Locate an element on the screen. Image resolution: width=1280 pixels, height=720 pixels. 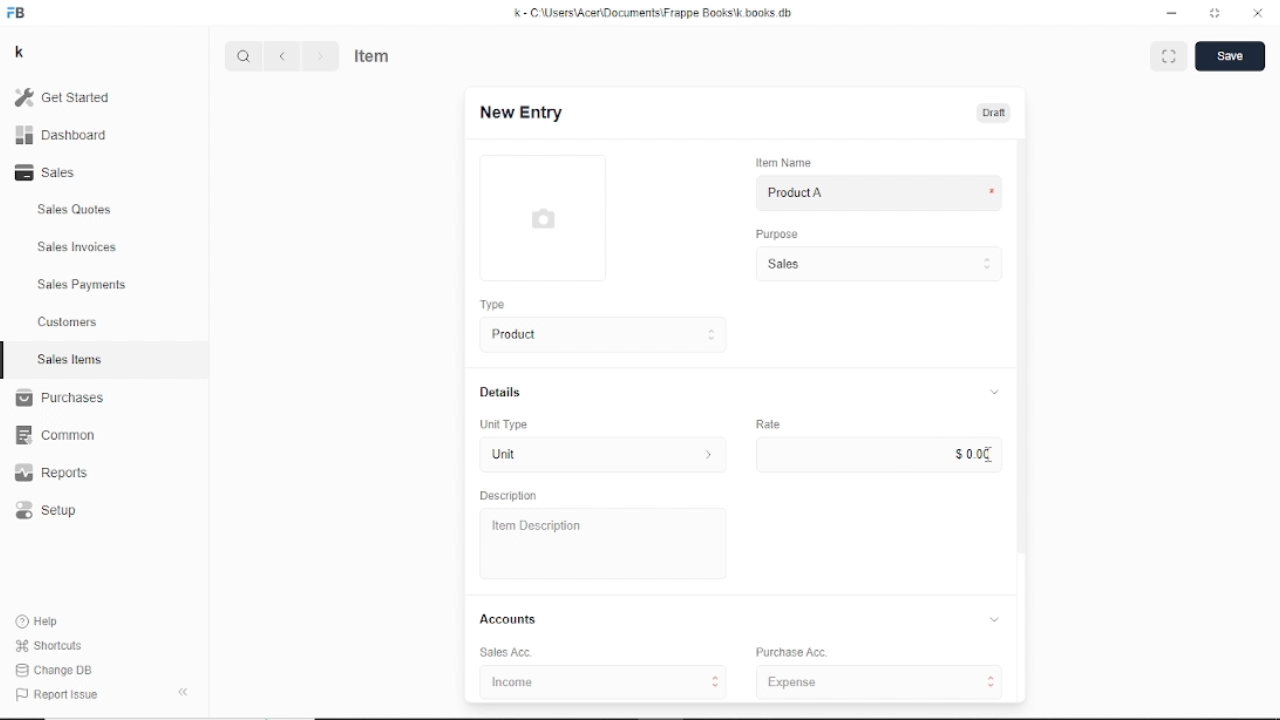
Sales Quotes is located at coordinates (76, 210).